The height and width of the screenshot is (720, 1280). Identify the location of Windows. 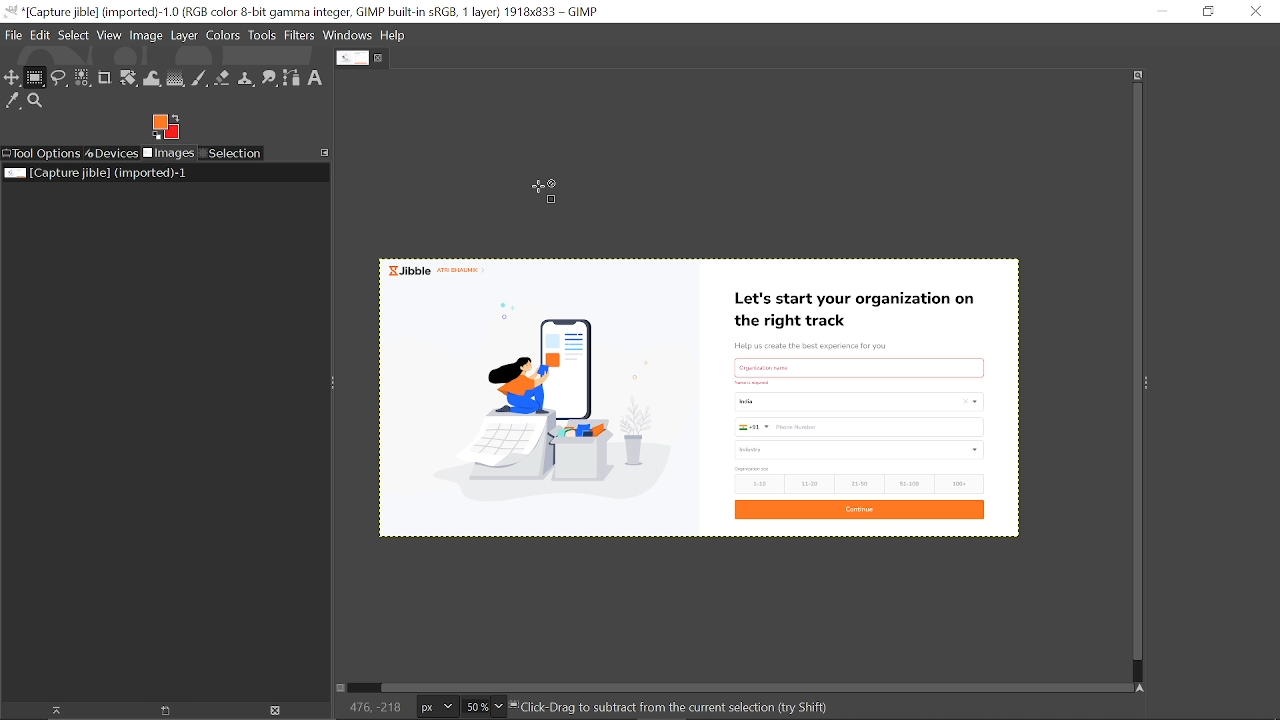
(347, 36).